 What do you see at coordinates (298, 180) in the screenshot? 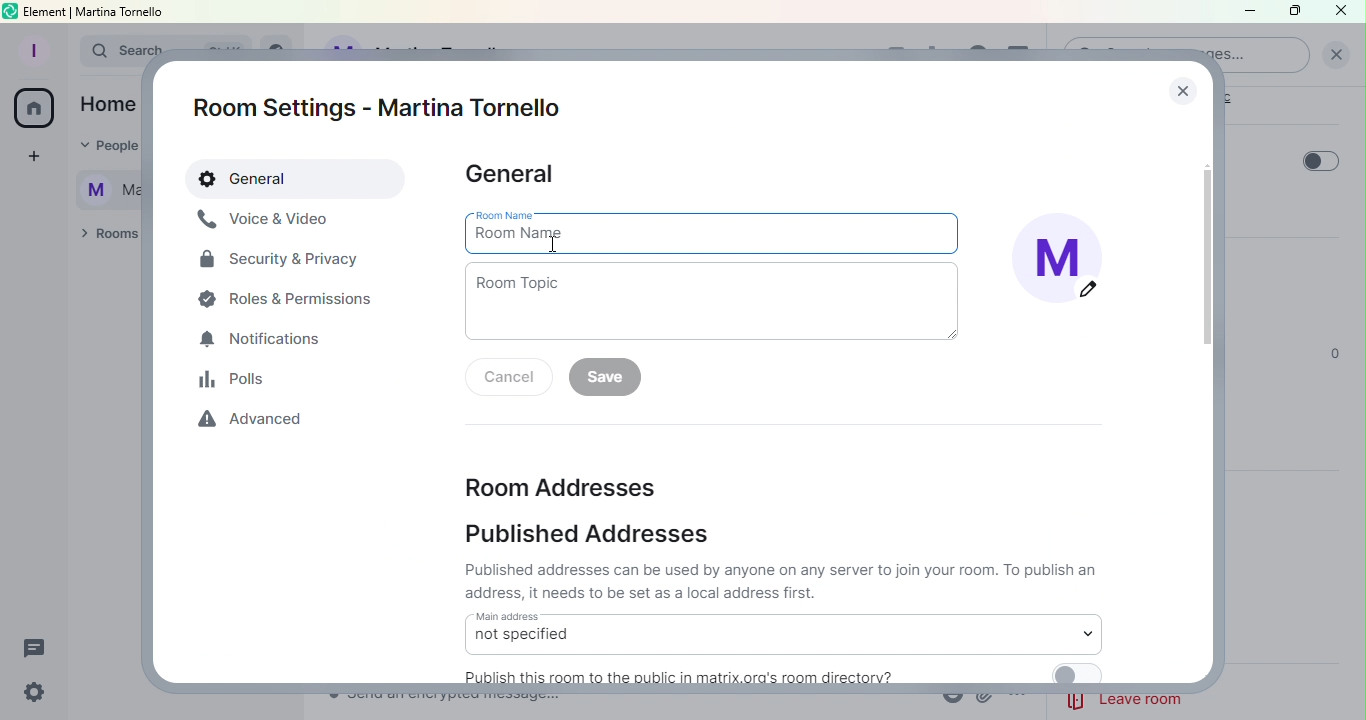
I see `General` at bounding box center [298, 180].